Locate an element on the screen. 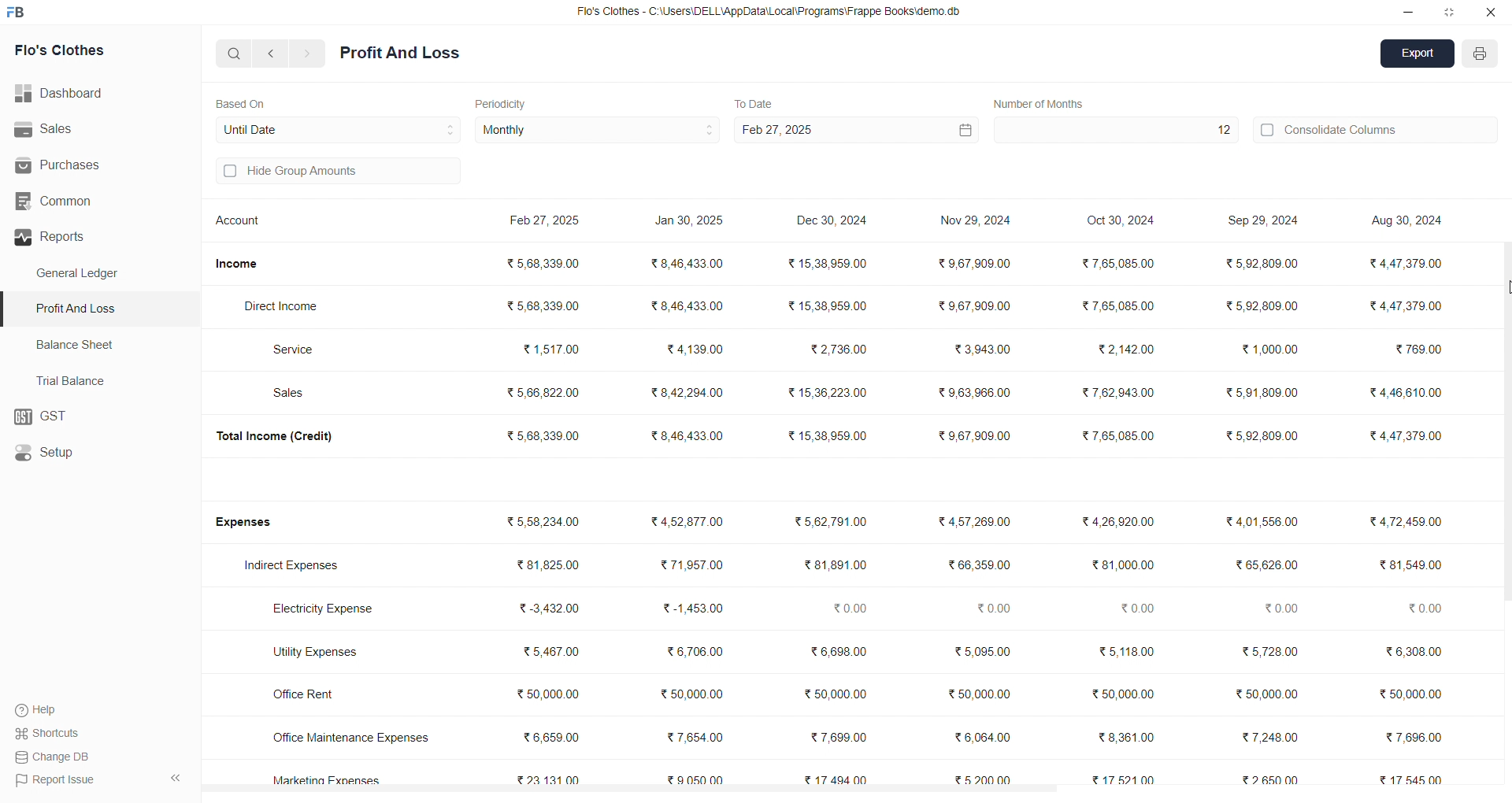  ₹ 50,000.00 is located at coordinates (1270, 693).